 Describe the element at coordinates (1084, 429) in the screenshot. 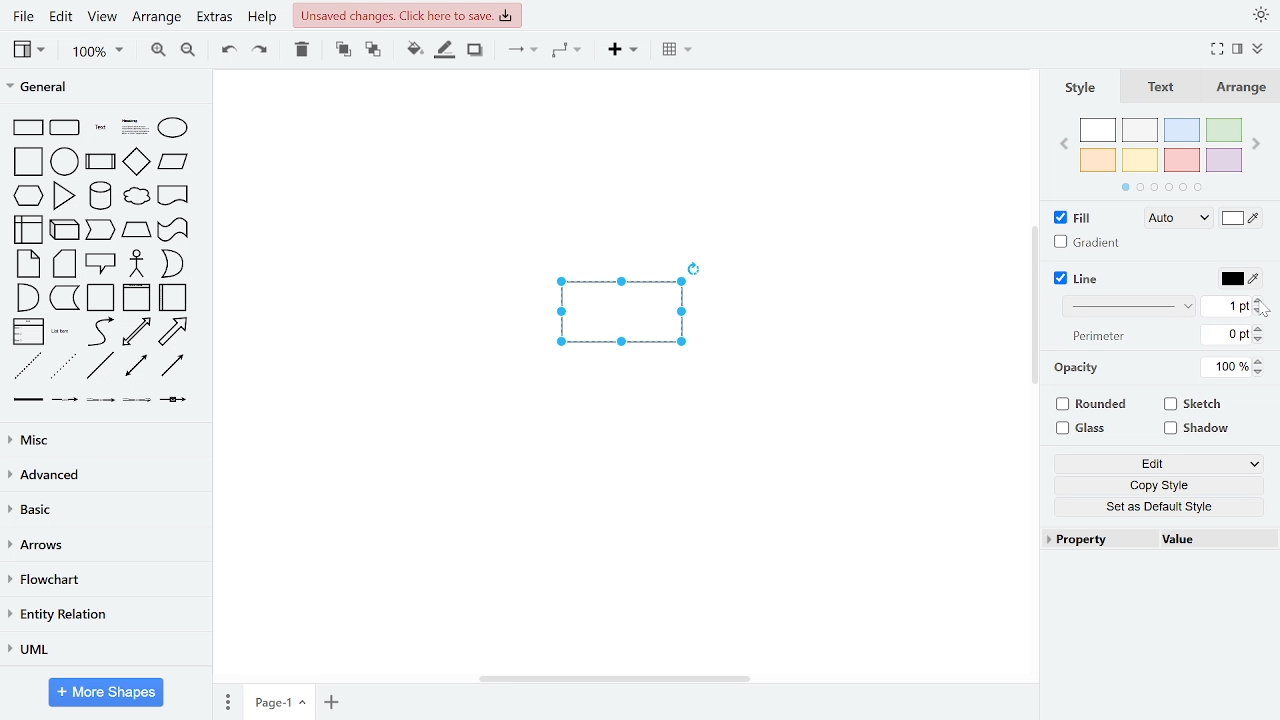

I see `glass` at that location.